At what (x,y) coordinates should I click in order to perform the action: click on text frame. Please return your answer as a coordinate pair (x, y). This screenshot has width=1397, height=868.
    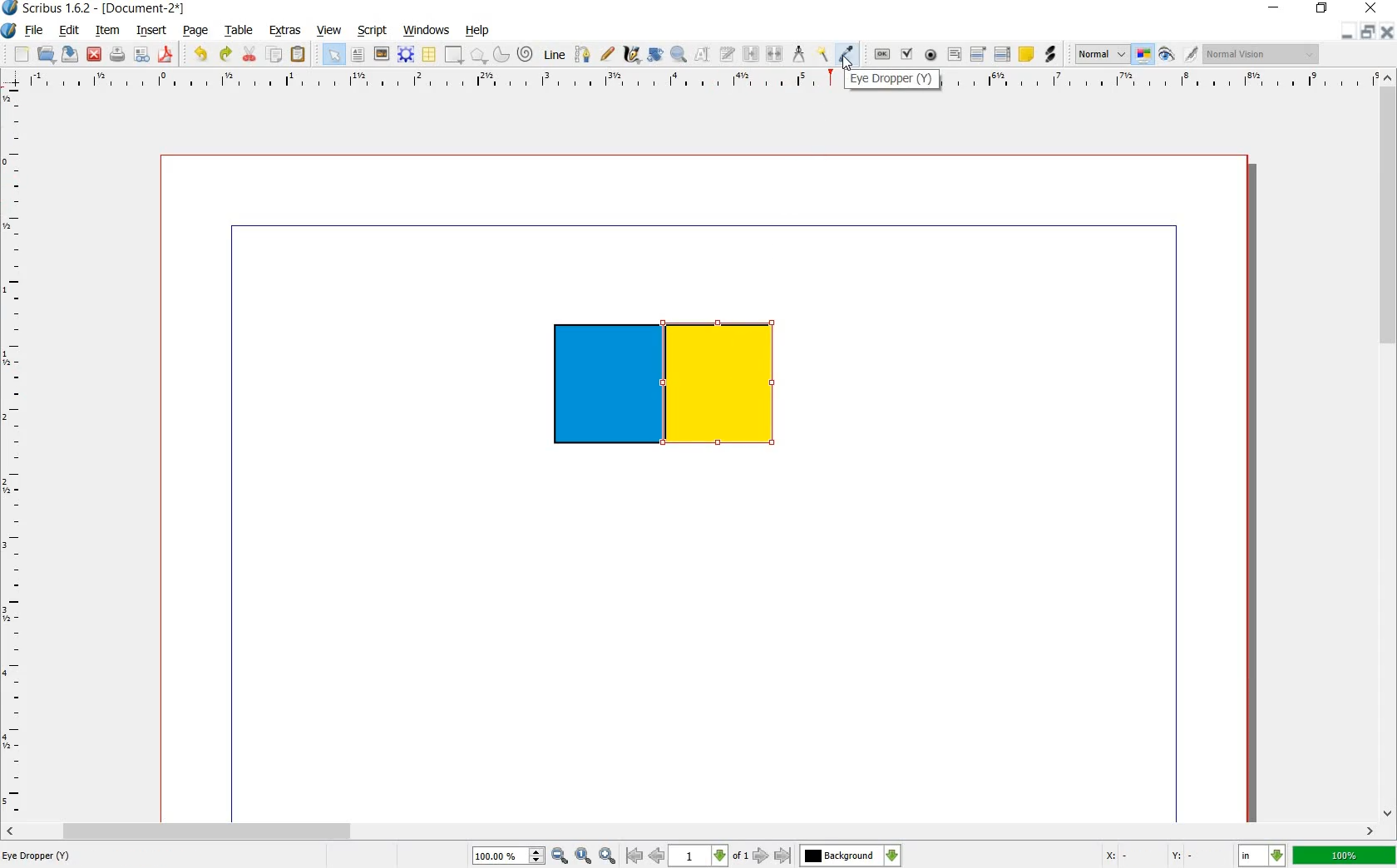
    Looking at the image, I should click on (358, 56).